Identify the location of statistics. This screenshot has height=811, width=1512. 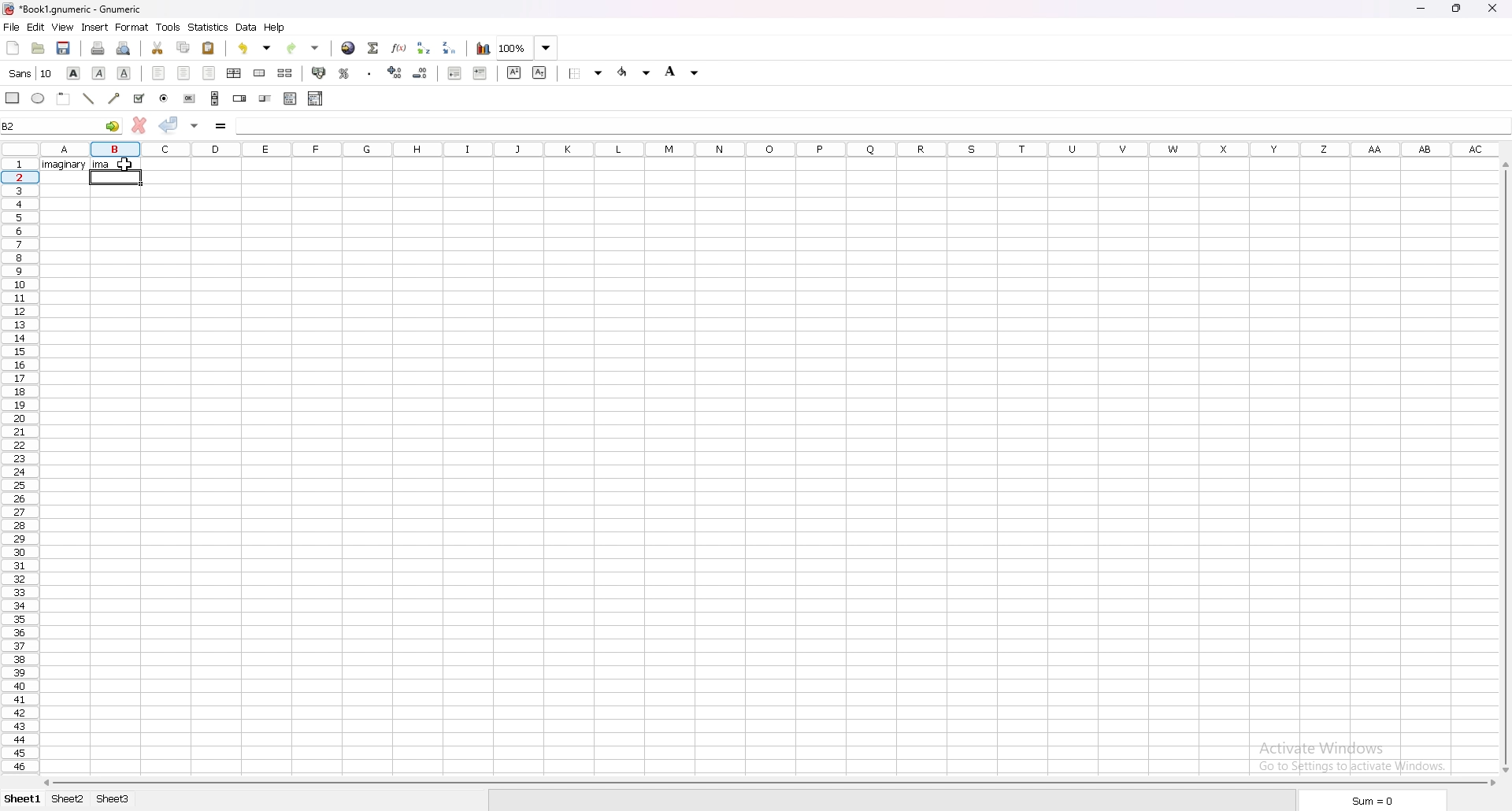
(209, 26).